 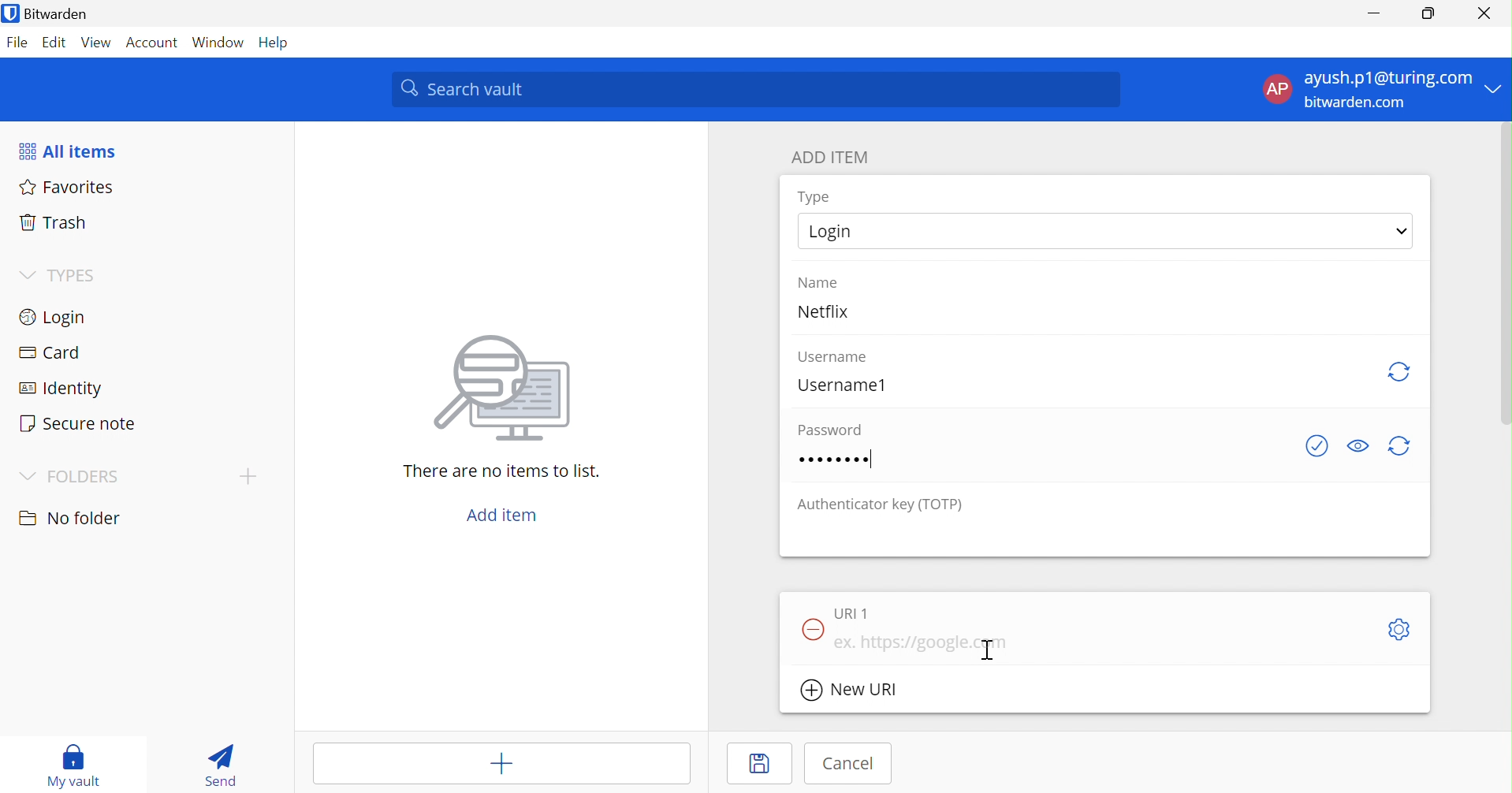 What do you see at coordinates (818, 282) in the screenshot?
I see `Name` at bounding box center [818, 282].